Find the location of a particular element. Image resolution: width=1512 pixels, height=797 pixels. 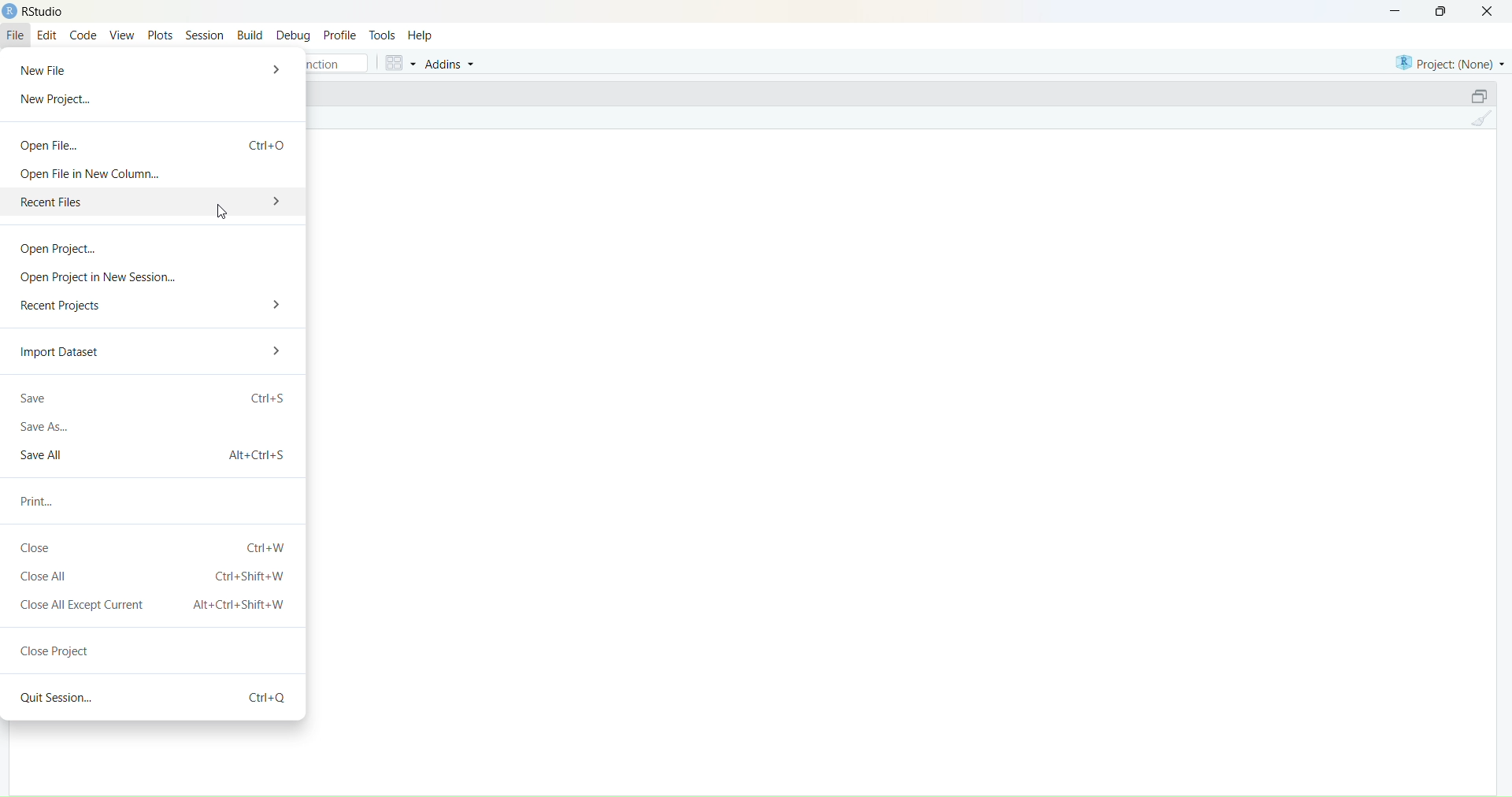

Tools is located at coordinates (384, 35).